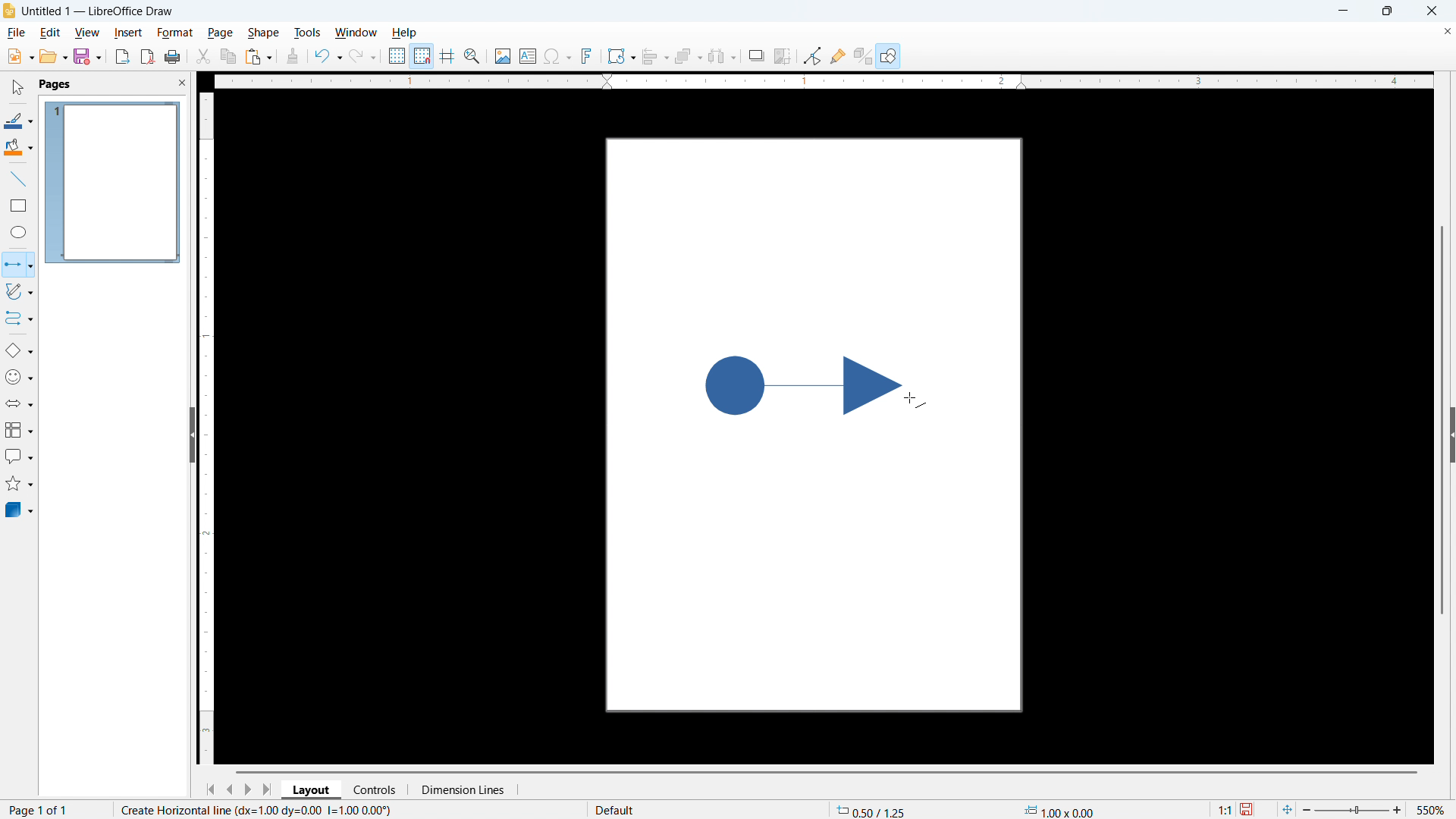 This screenshot has height=819, width=1456. What do you see at coordinates (229, 56) in the screenshot?
I see `Copy ` at bounding box center [229, 56].